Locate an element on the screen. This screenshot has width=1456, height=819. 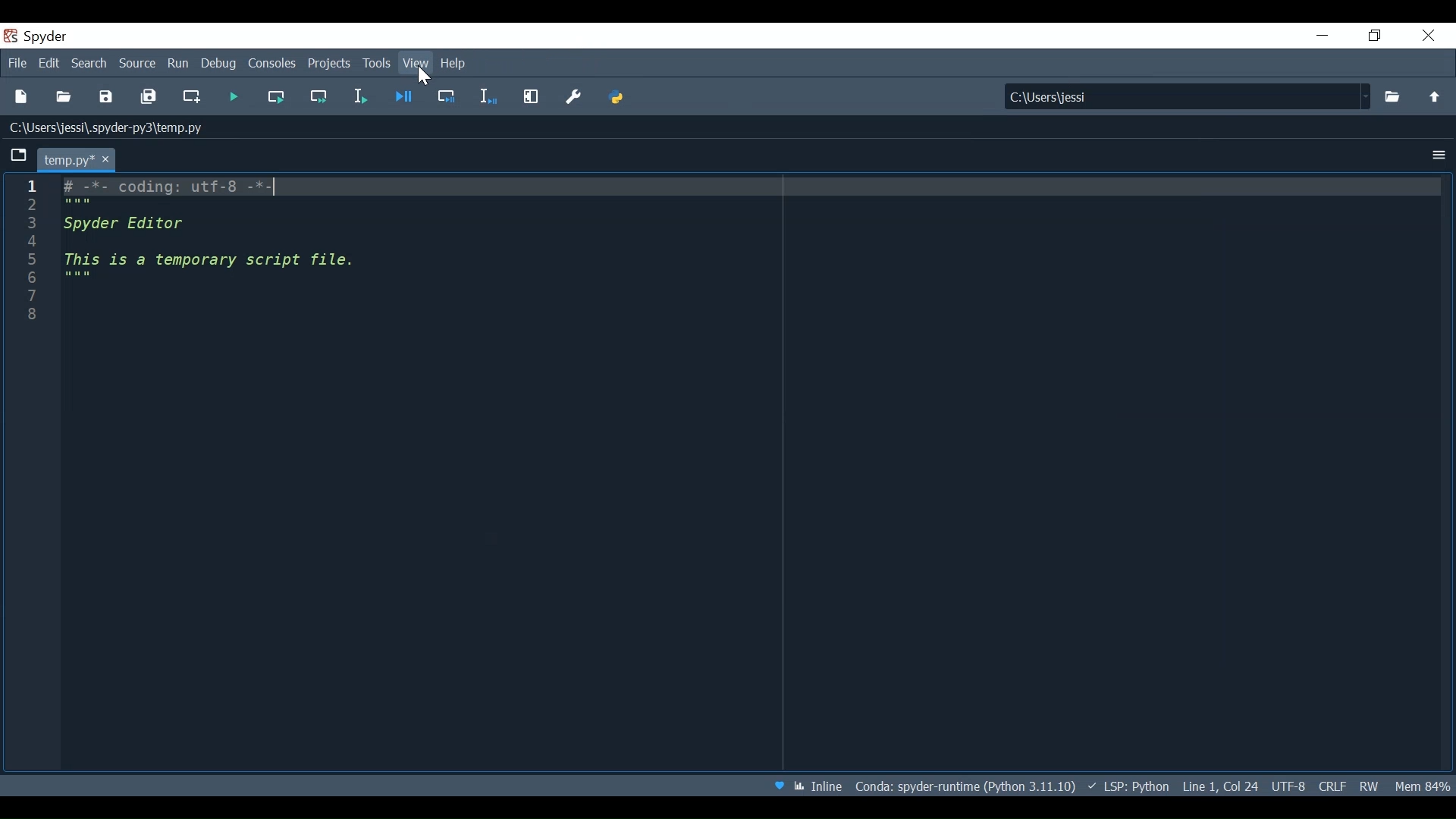
Debug file is located at coordinates (406, 99).